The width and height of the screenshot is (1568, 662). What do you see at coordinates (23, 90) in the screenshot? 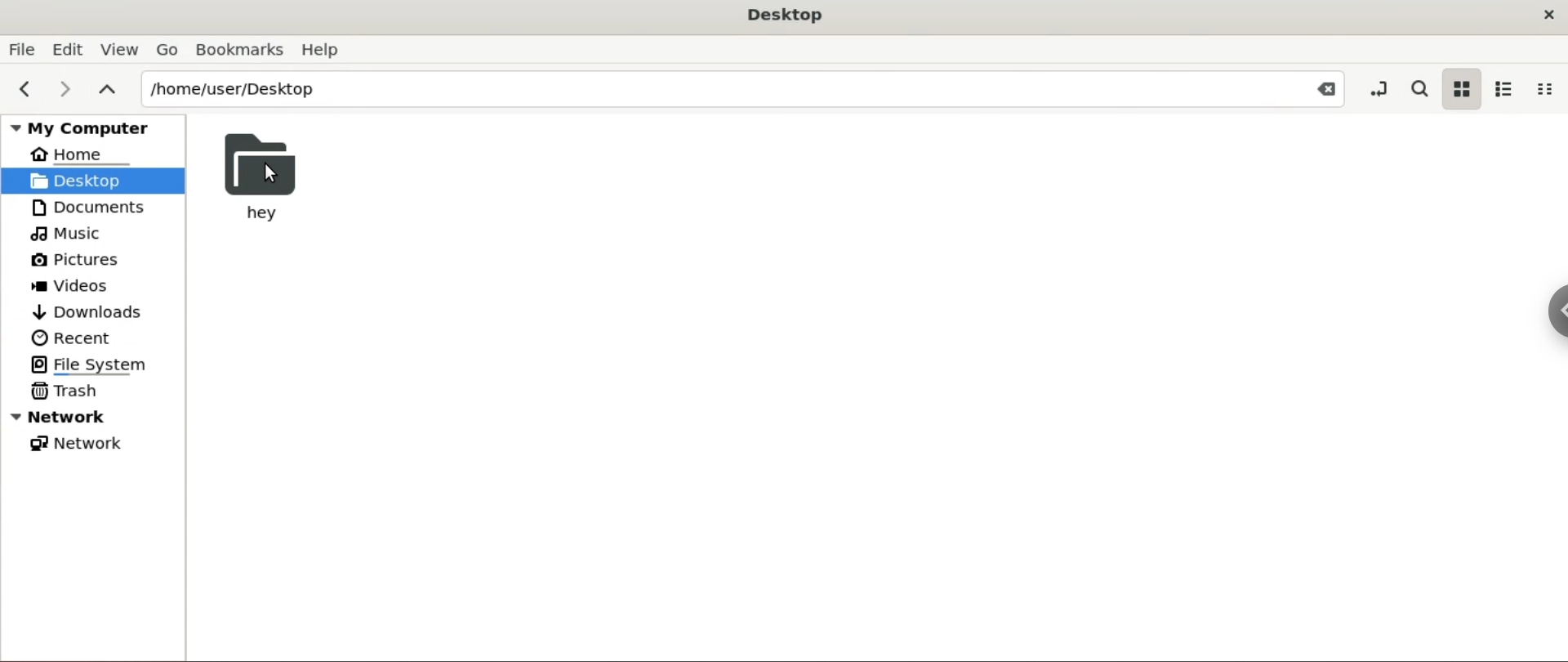
I see `previous` at bounding box center [23, 90].